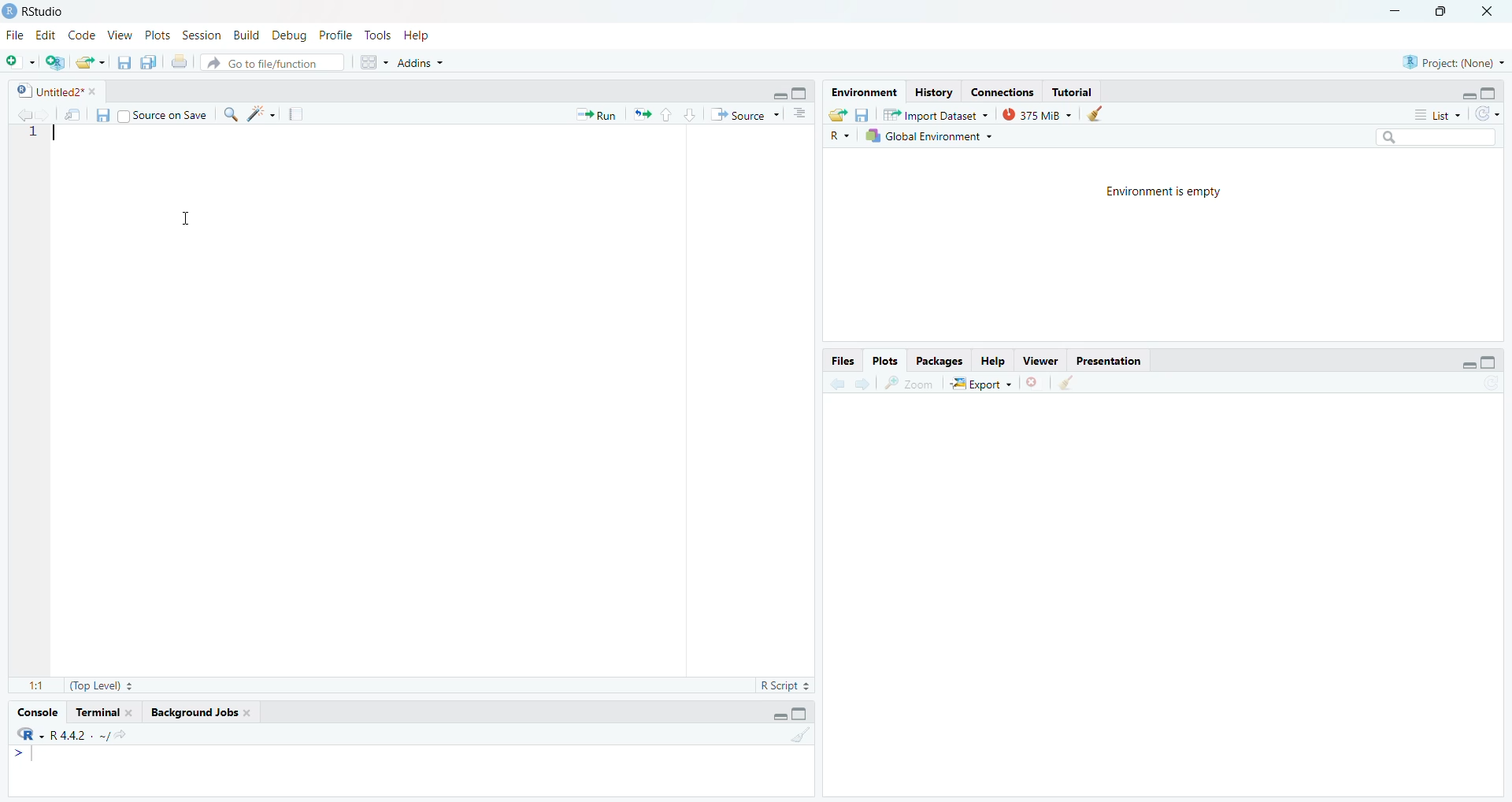 This screenshot has width=1512, height=802. Describe the element at coordinates (1039, 114) in the screenshot. I see `375MiB ~` at that location.